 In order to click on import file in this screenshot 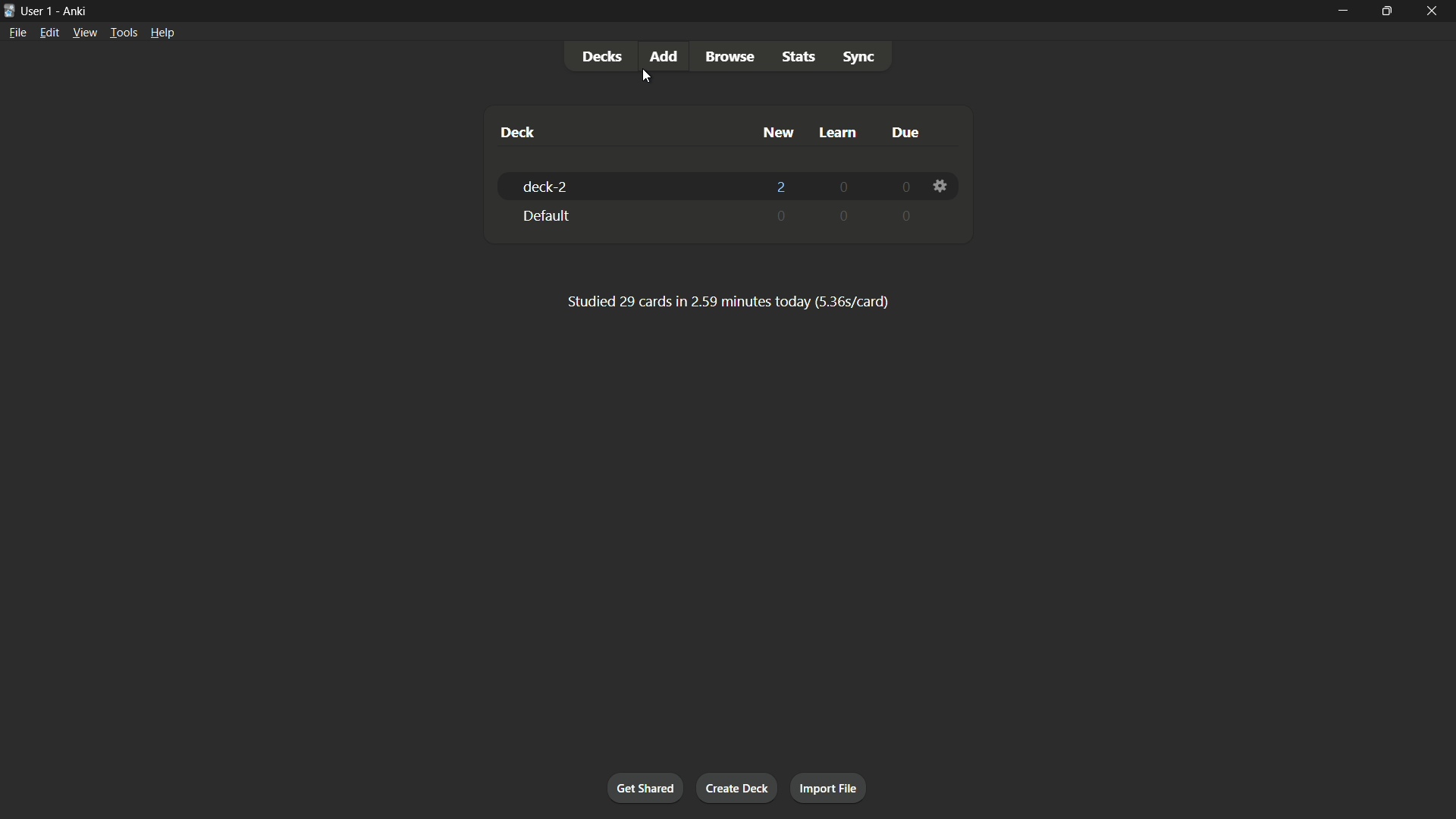, I will do `click(830, 789)`.